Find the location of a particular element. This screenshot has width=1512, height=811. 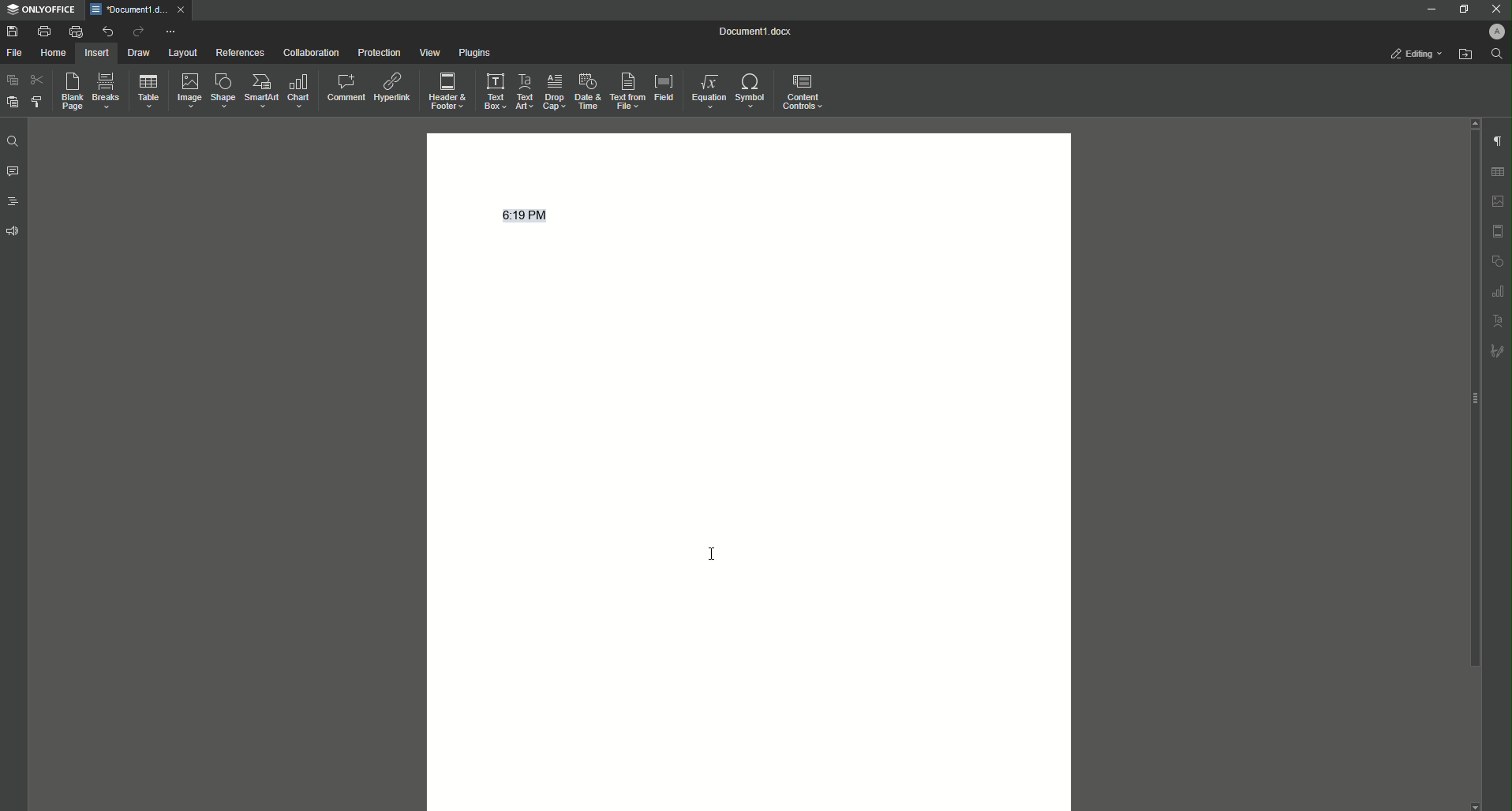

Find is located at coordinates (12, 141).